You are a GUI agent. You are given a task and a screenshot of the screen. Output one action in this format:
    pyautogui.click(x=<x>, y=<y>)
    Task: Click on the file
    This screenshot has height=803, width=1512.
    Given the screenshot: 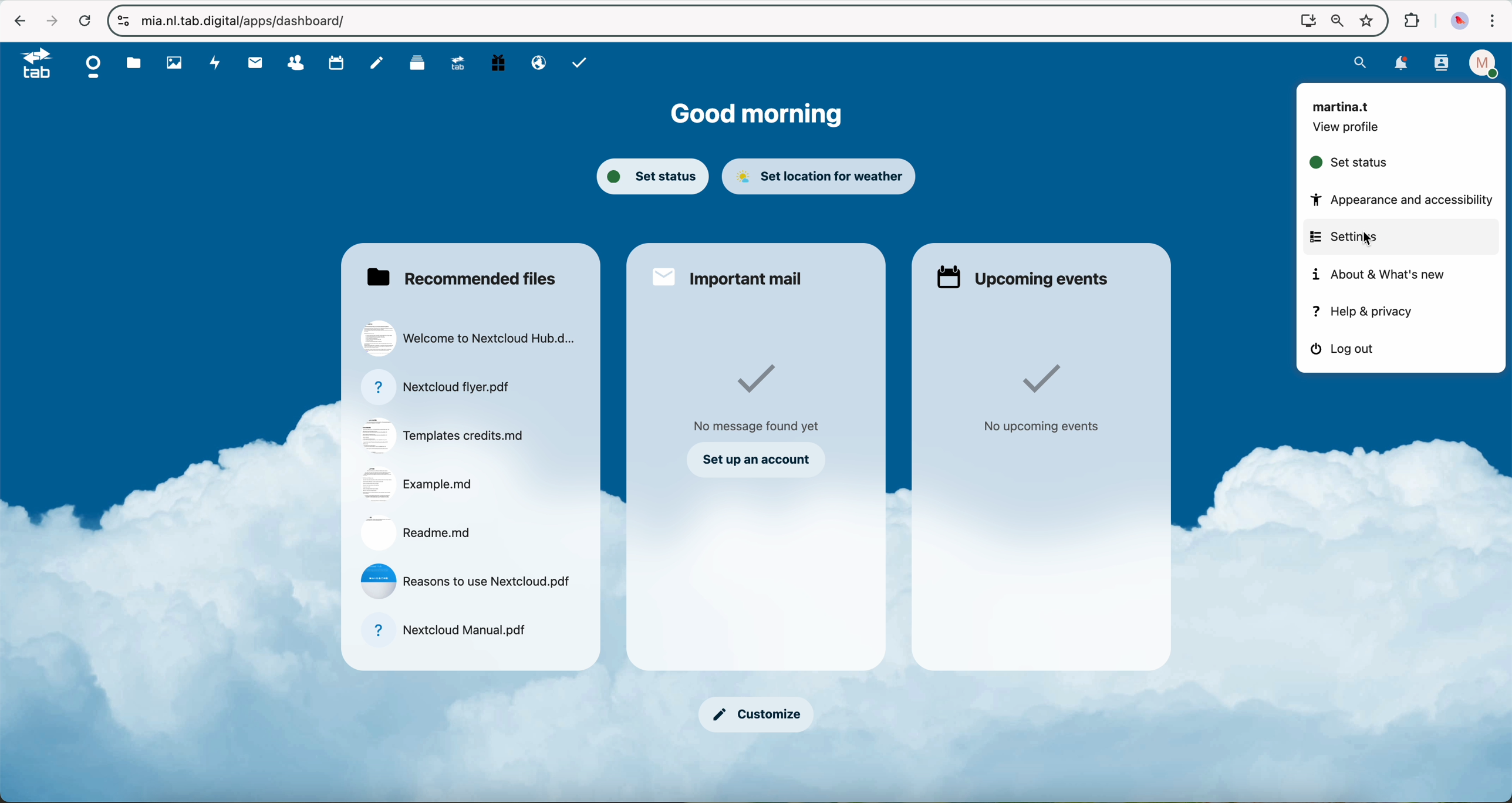 What is the action you would take?
    pyautogui.click(x=134, y=63)
    